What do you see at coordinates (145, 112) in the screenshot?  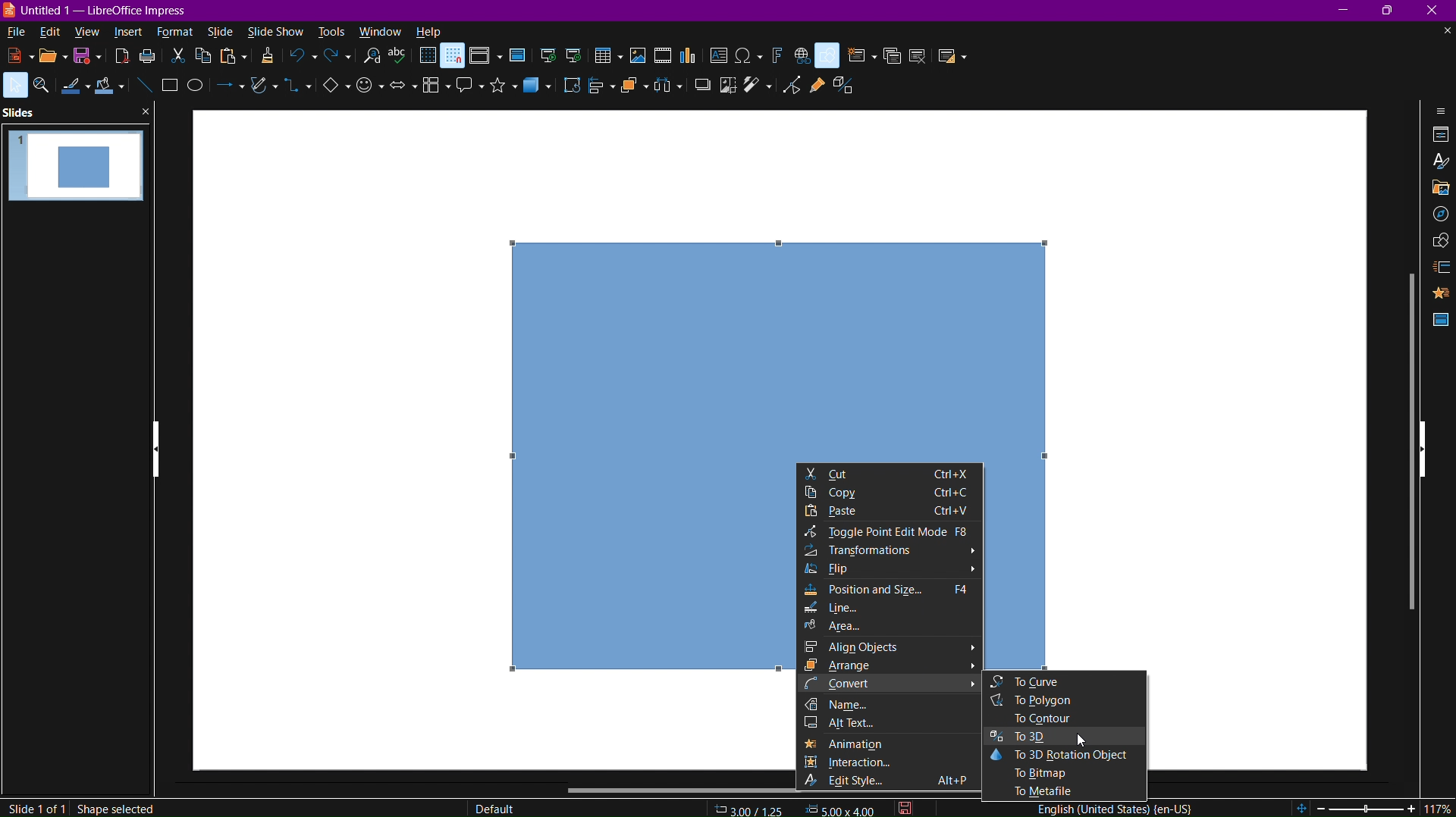 I see `close pane` at bounding box center [145, 112].